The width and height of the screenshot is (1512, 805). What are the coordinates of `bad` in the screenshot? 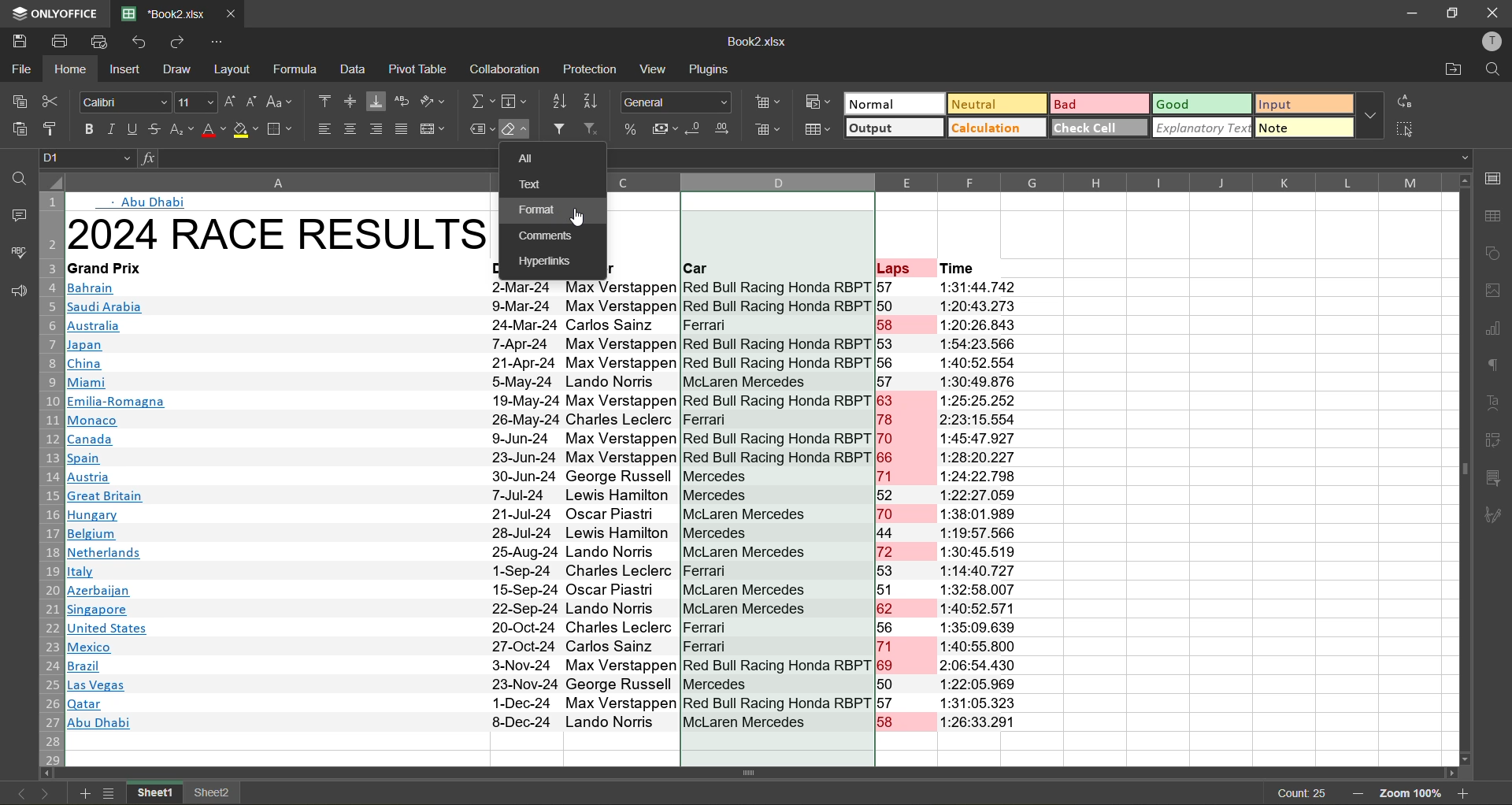 It's located at (1098, 105).